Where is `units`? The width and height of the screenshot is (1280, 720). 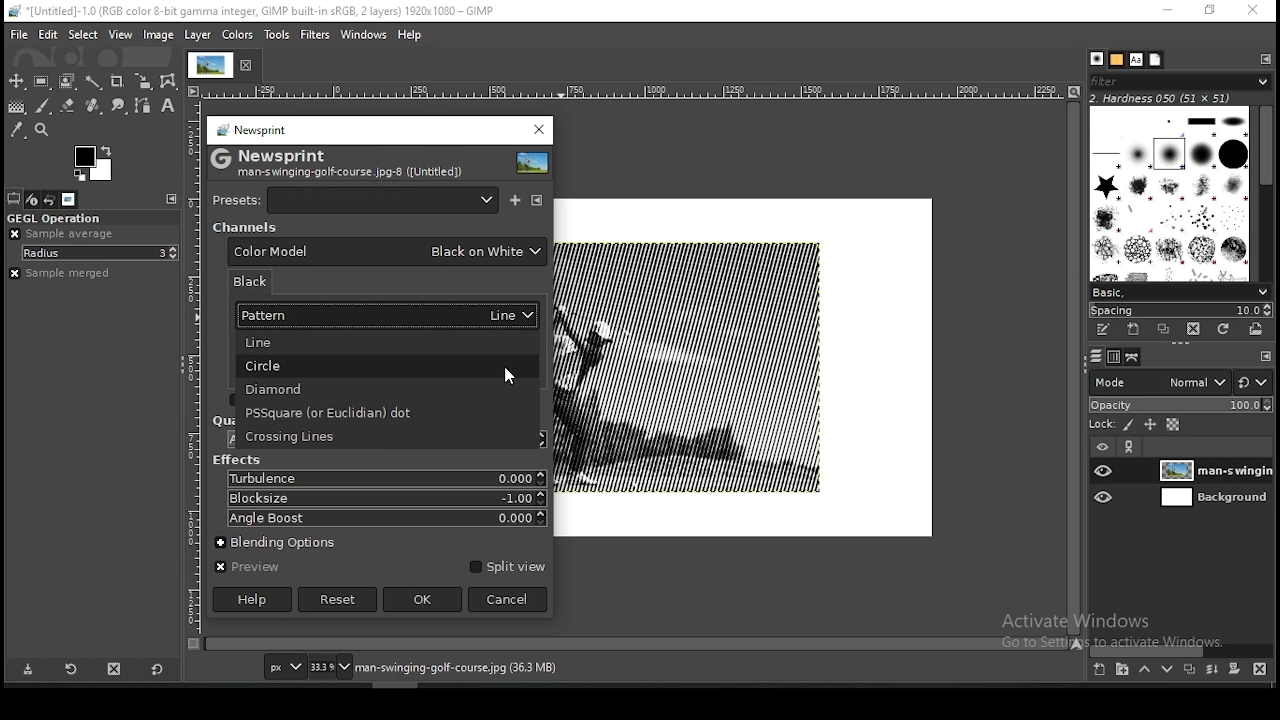
units is located at coordinates (284, 667).